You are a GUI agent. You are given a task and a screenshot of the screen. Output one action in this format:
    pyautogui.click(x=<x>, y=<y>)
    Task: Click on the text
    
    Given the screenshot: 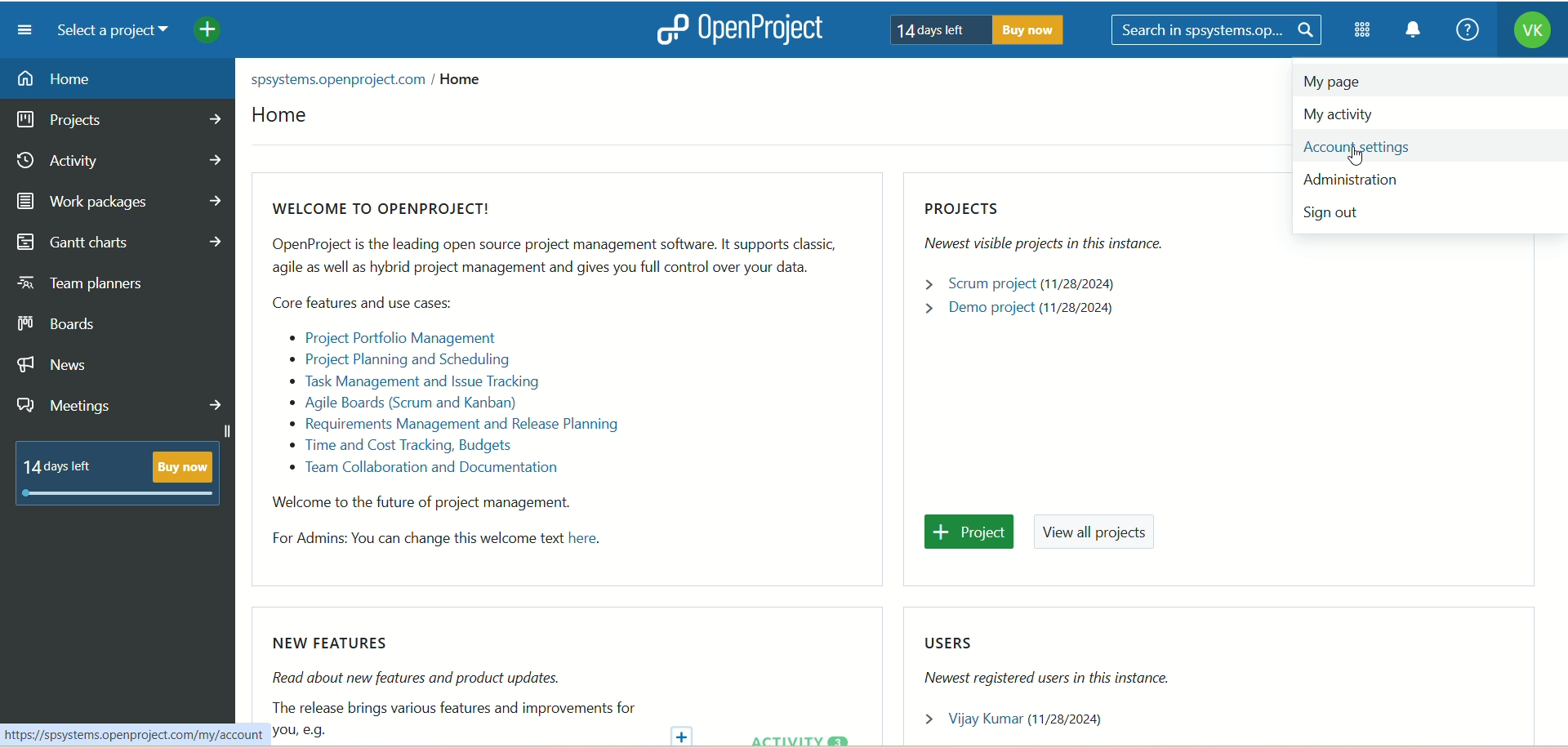 What is the action you would take?
    pyautogui.click(x=114, y=474)
    